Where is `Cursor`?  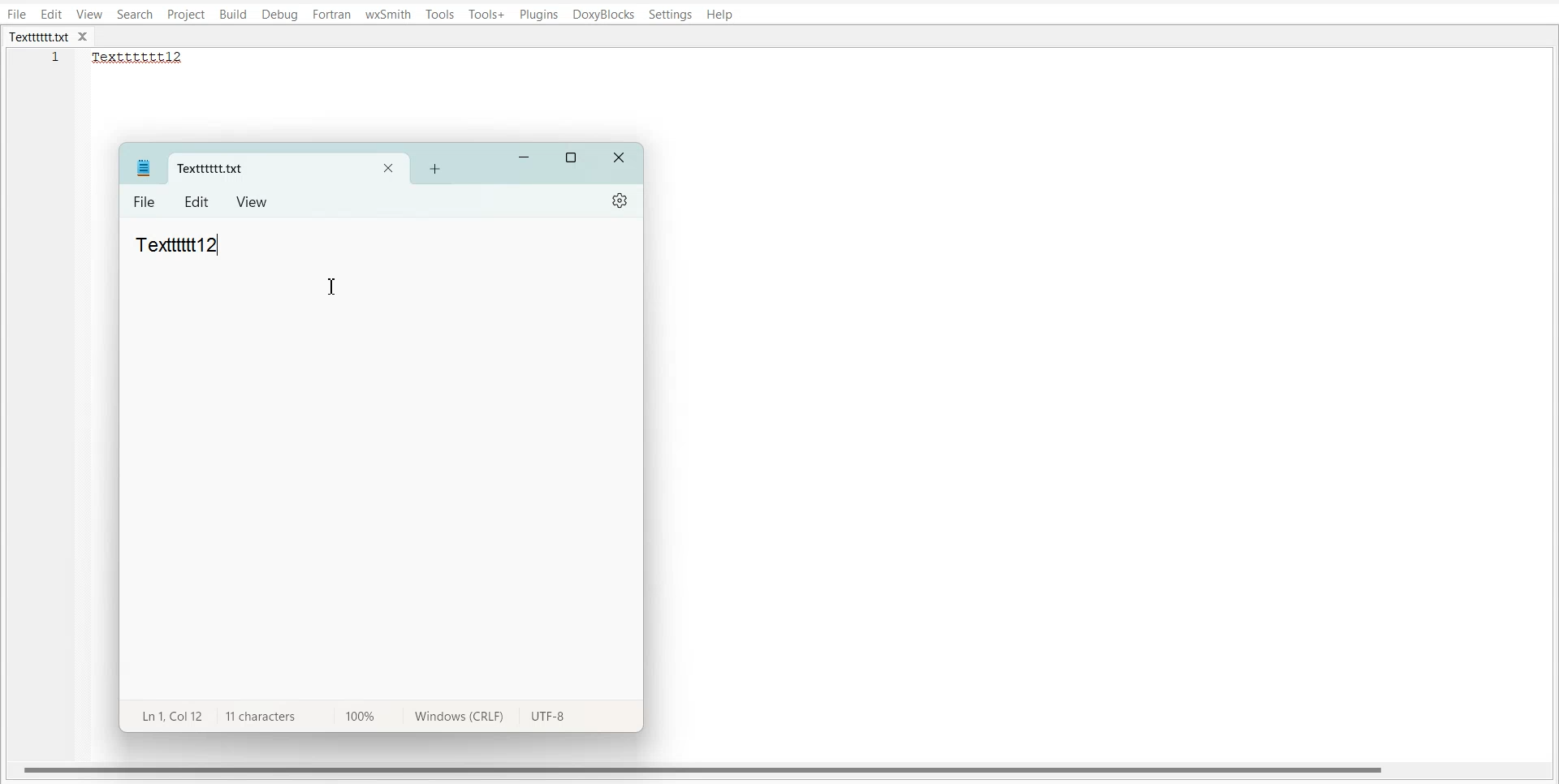
Cursor is located at coordinates (335, 289).